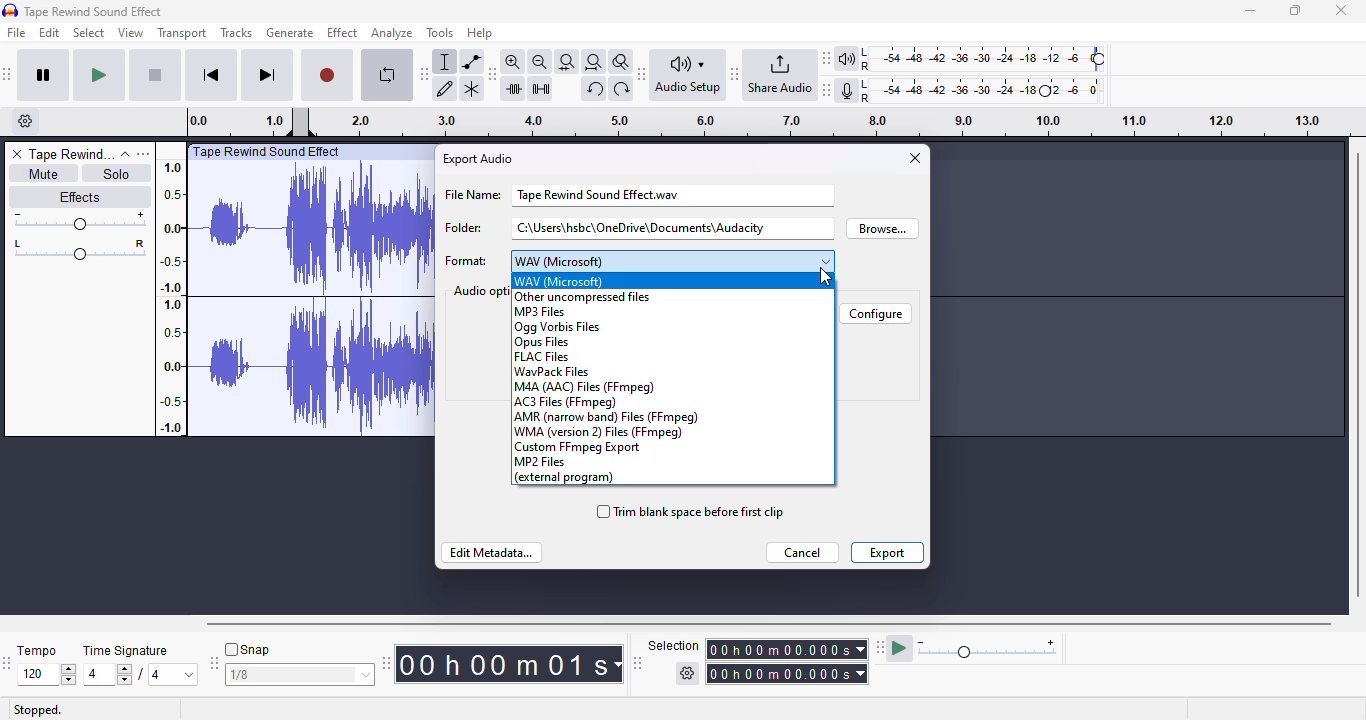  What do you see at coordinates (1249, 11) in the screenshot?
I see `minimize` at bounding box center [1249, 11].